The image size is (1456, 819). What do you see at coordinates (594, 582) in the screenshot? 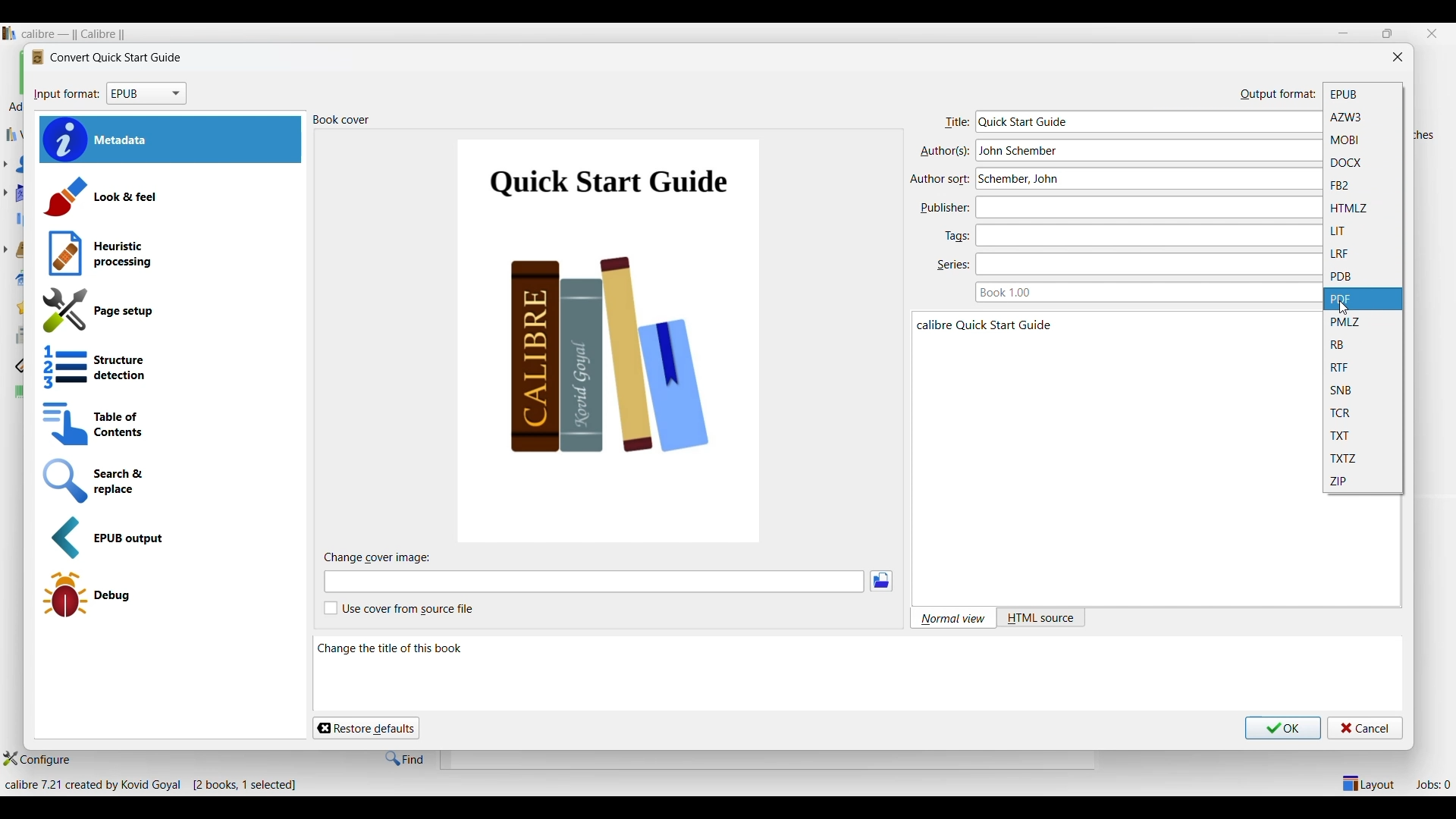
I see `Type in cover image file` at bounding box center [594, 582].